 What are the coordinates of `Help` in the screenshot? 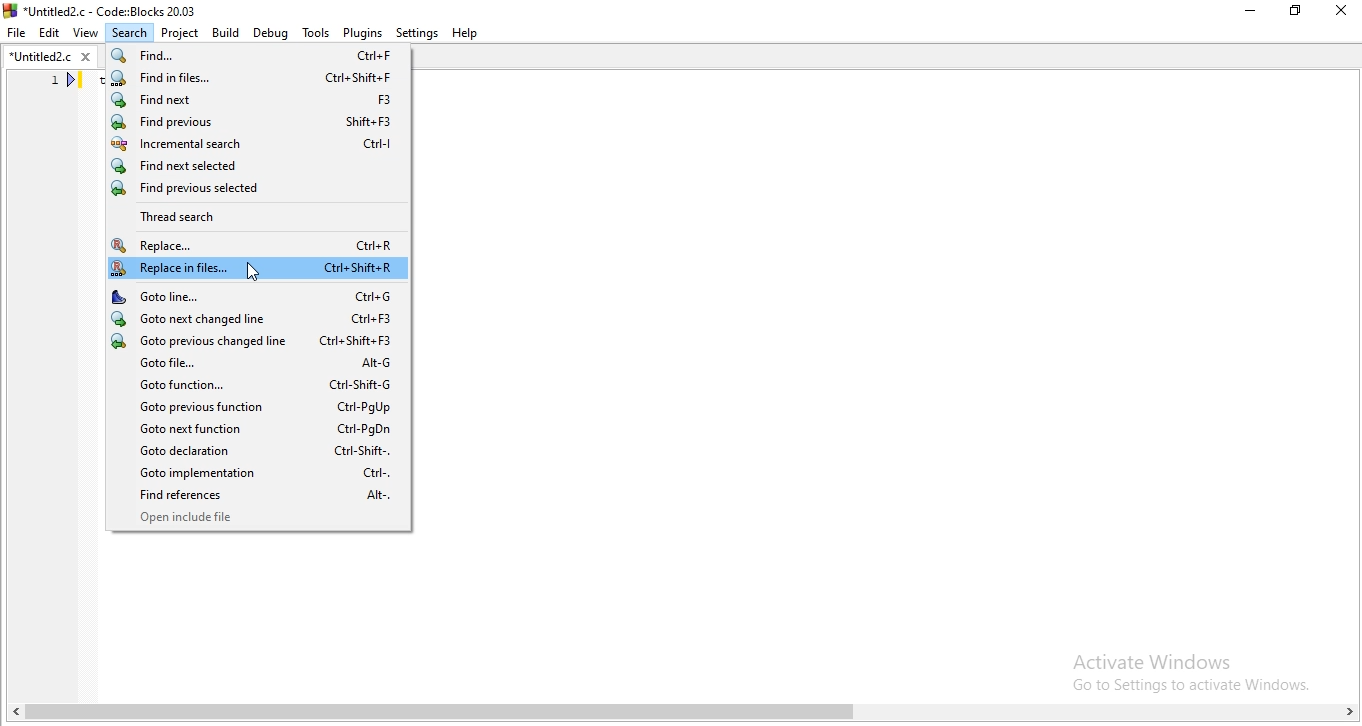 It's located at (467, 33).